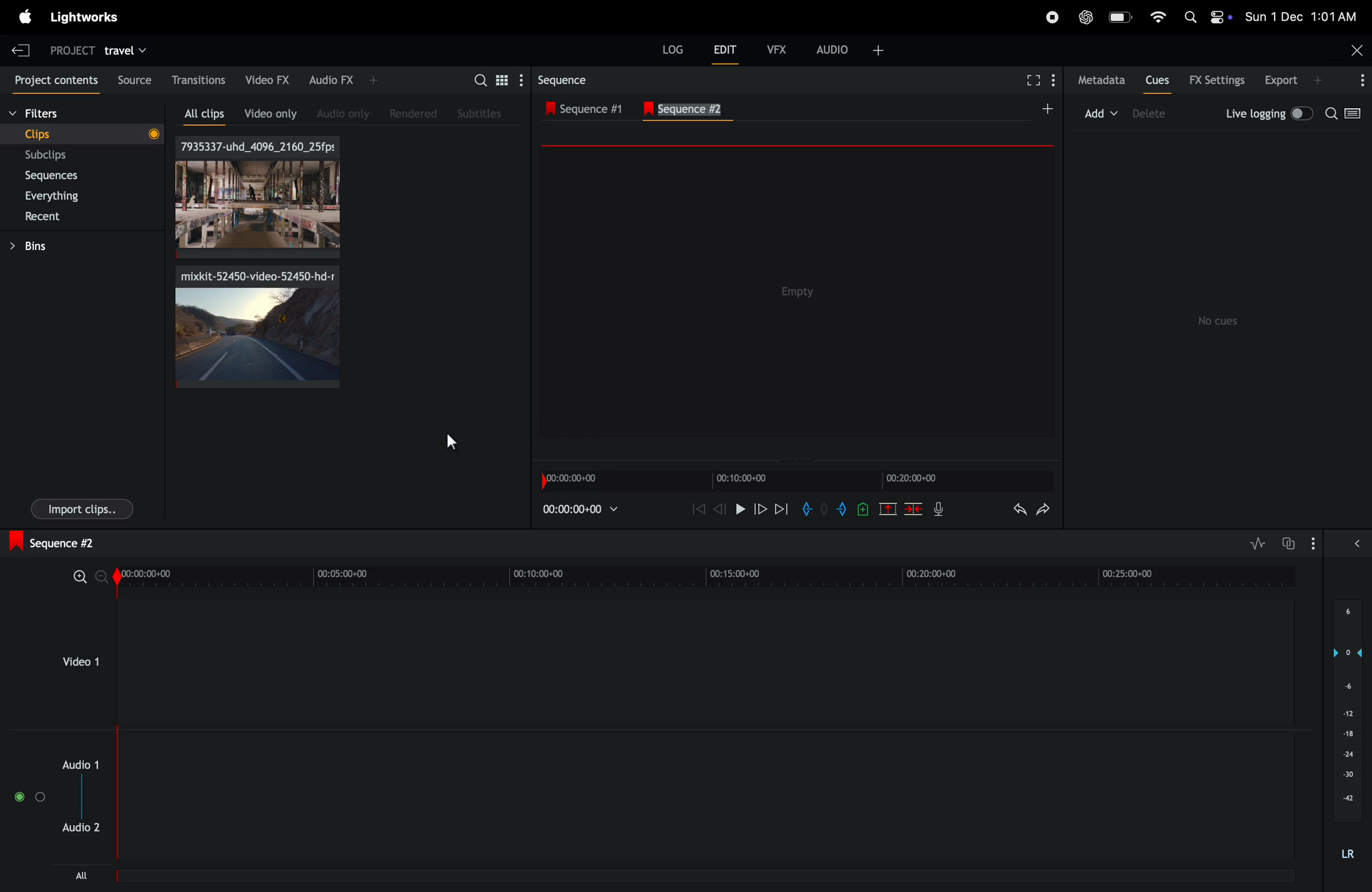 Image resolution: width=1372 pixels, height=892 pixels. What do you see at coordinates (1357, 543) in the screenshot?
I see `show hide full video mix` at bounding box center [1357, 543].